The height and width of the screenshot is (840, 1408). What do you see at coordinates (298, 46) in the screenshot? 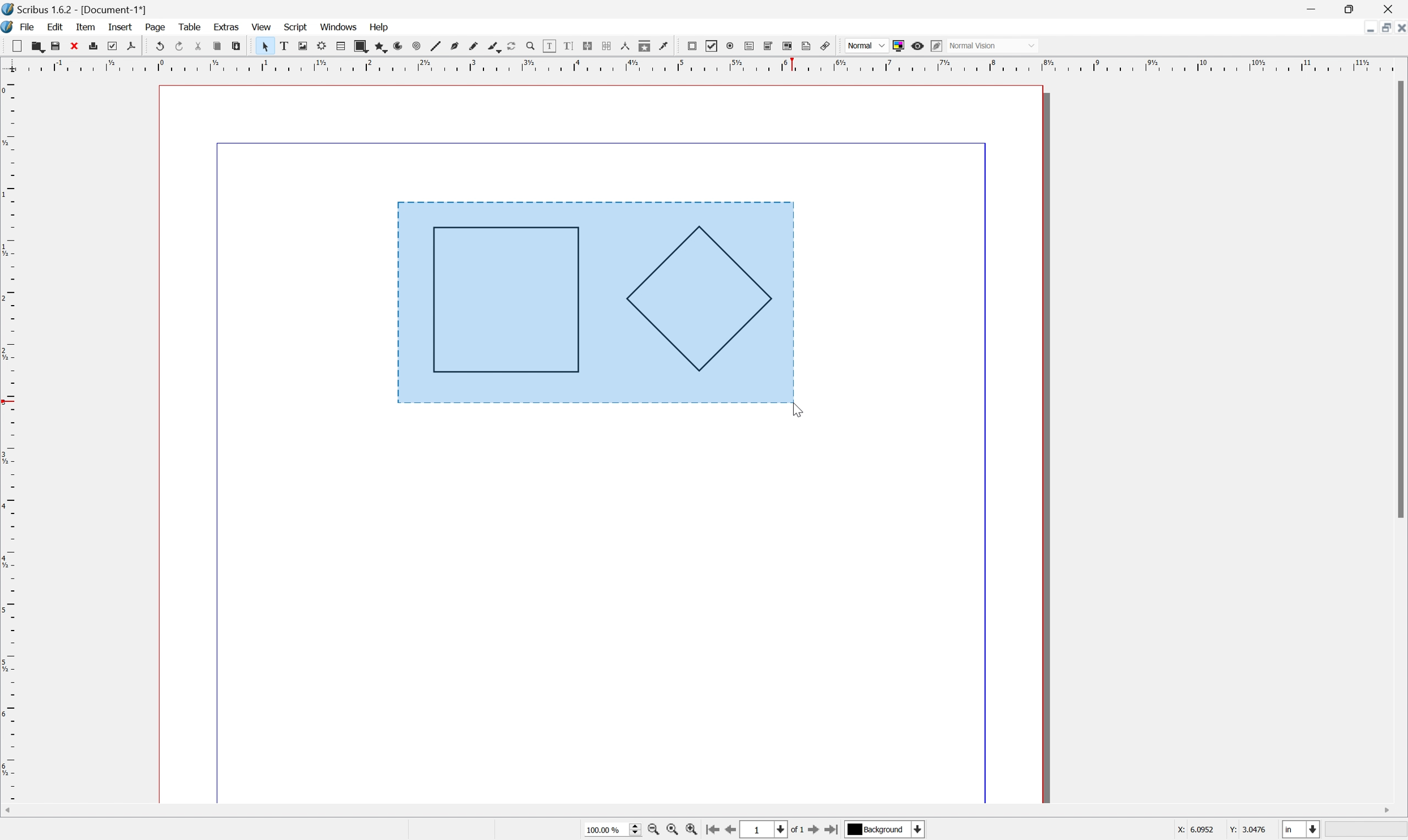
I see `image frame` at bounding box center [298, 46].